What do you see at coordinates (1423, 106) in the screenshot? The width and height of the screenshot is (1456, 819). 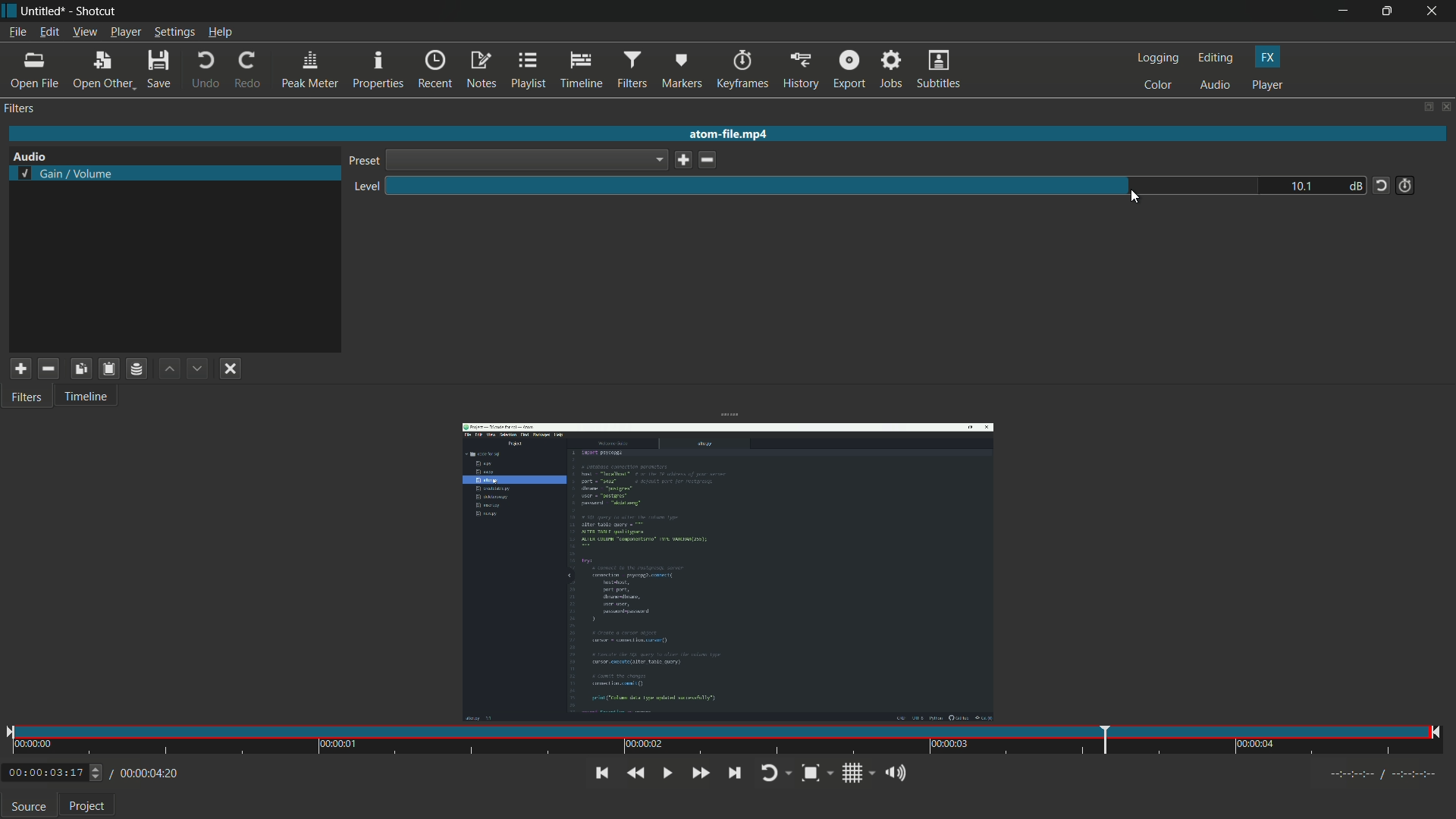 I see `change layout` at bounding box center [1423, 106].